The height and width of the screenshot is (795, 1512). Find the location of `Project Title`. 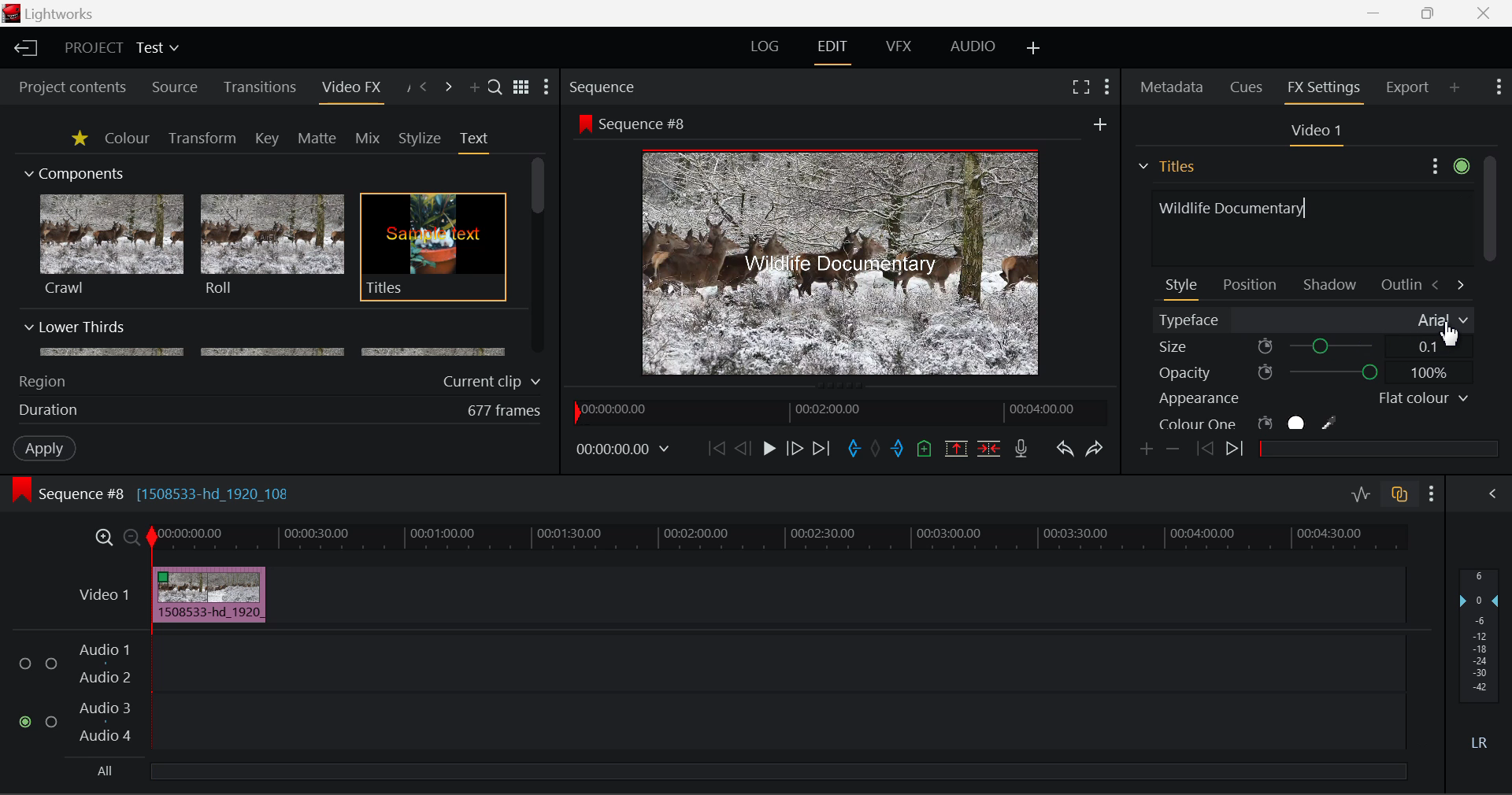

Project Title is located at coordinates (123, 46).